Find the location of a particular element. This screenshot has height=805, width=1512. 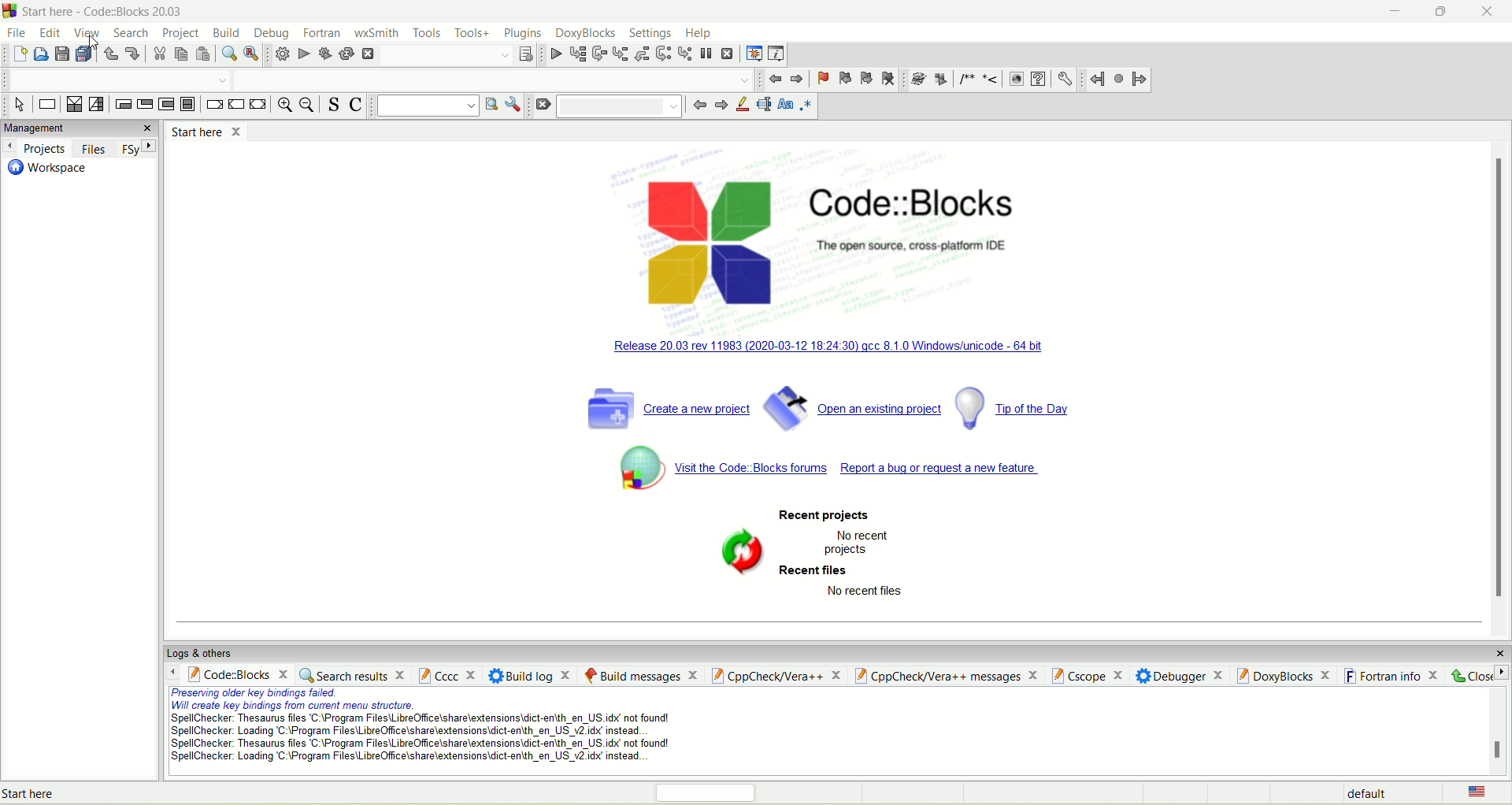

doxyblocks is located at coordinates (586, 34).